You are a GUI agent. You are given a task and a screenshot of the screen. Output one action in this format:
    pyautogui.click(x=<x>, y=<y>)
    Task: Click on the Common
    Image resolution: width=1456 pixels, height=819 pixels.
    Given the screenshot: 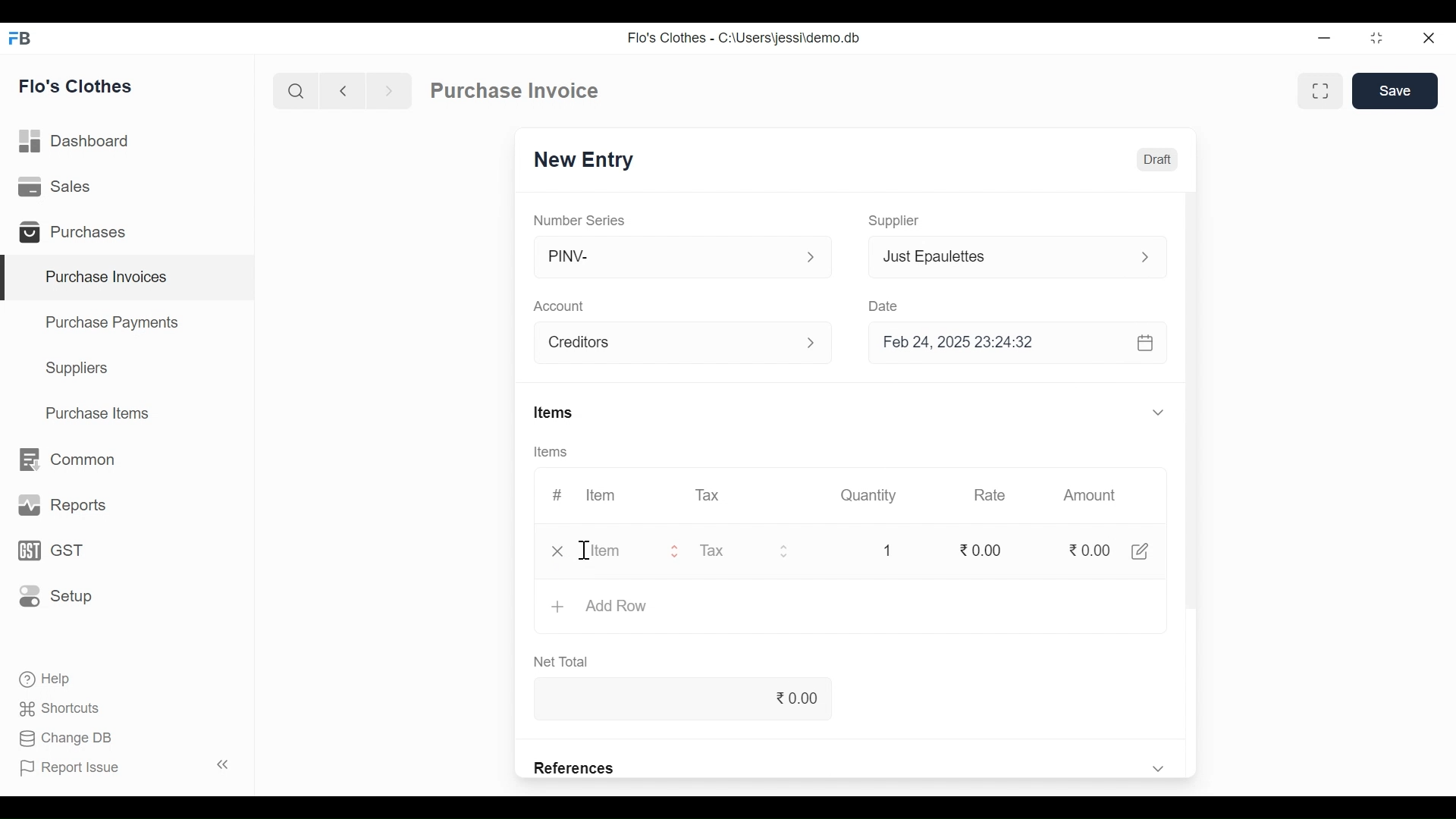 What is the action you would take?
    pyautogui.click(x=70, y=459)
    